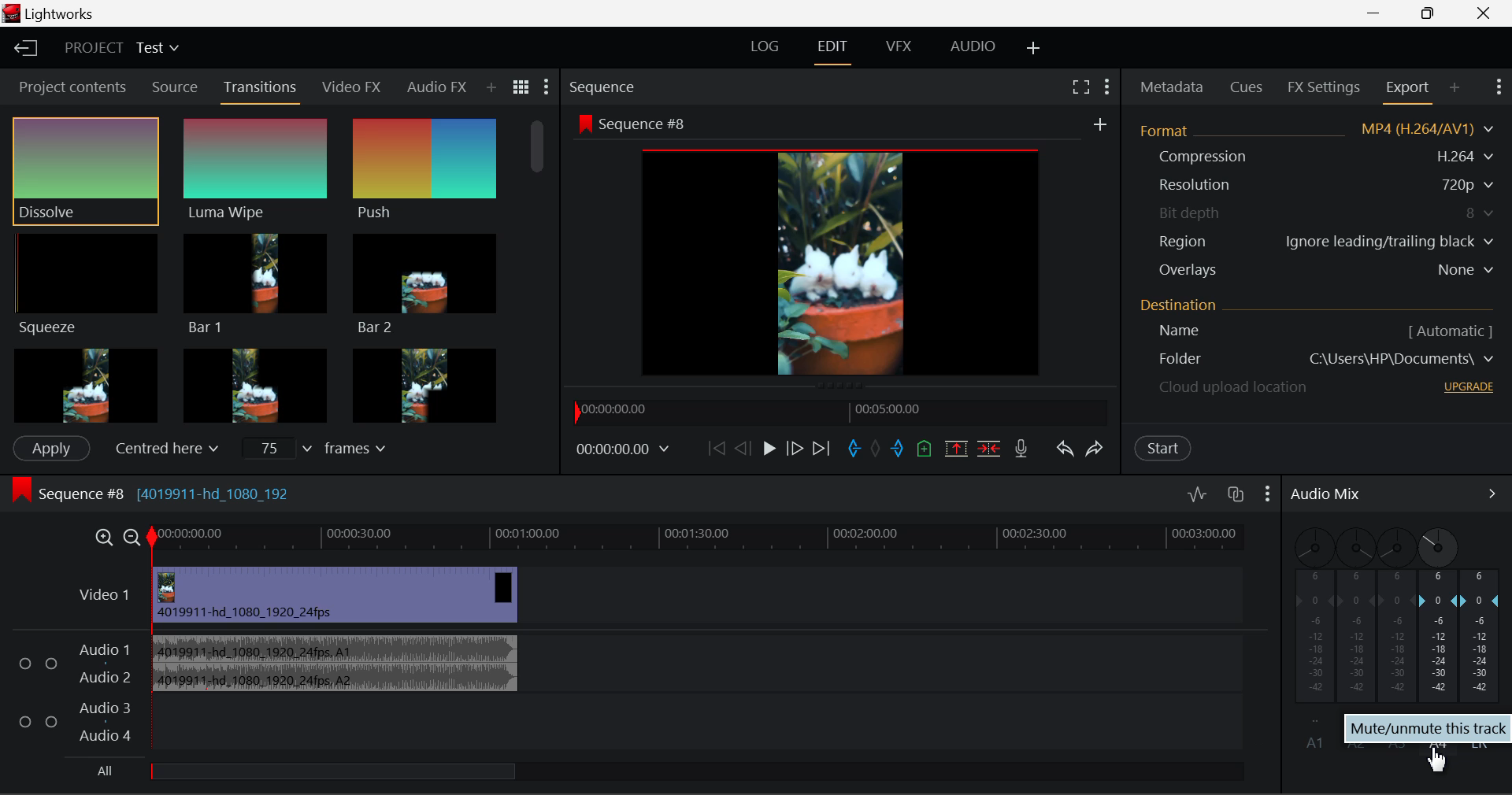  Describe the element at coordinates (491, 87) in the screenshot. I see `Add Panel` at that location.